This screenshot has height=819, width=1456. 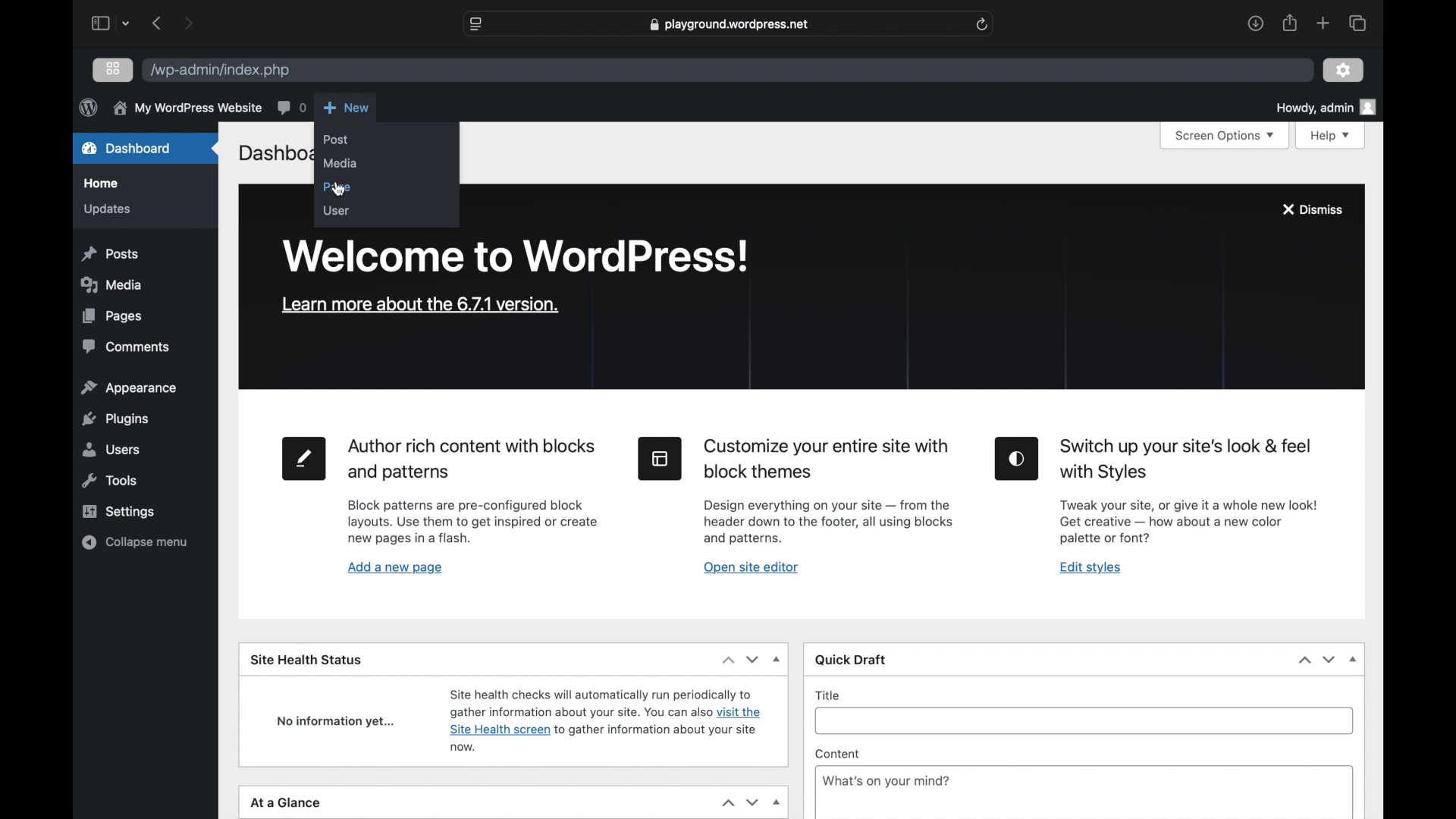 I want to click on title input, so click(x=1090, y=722).